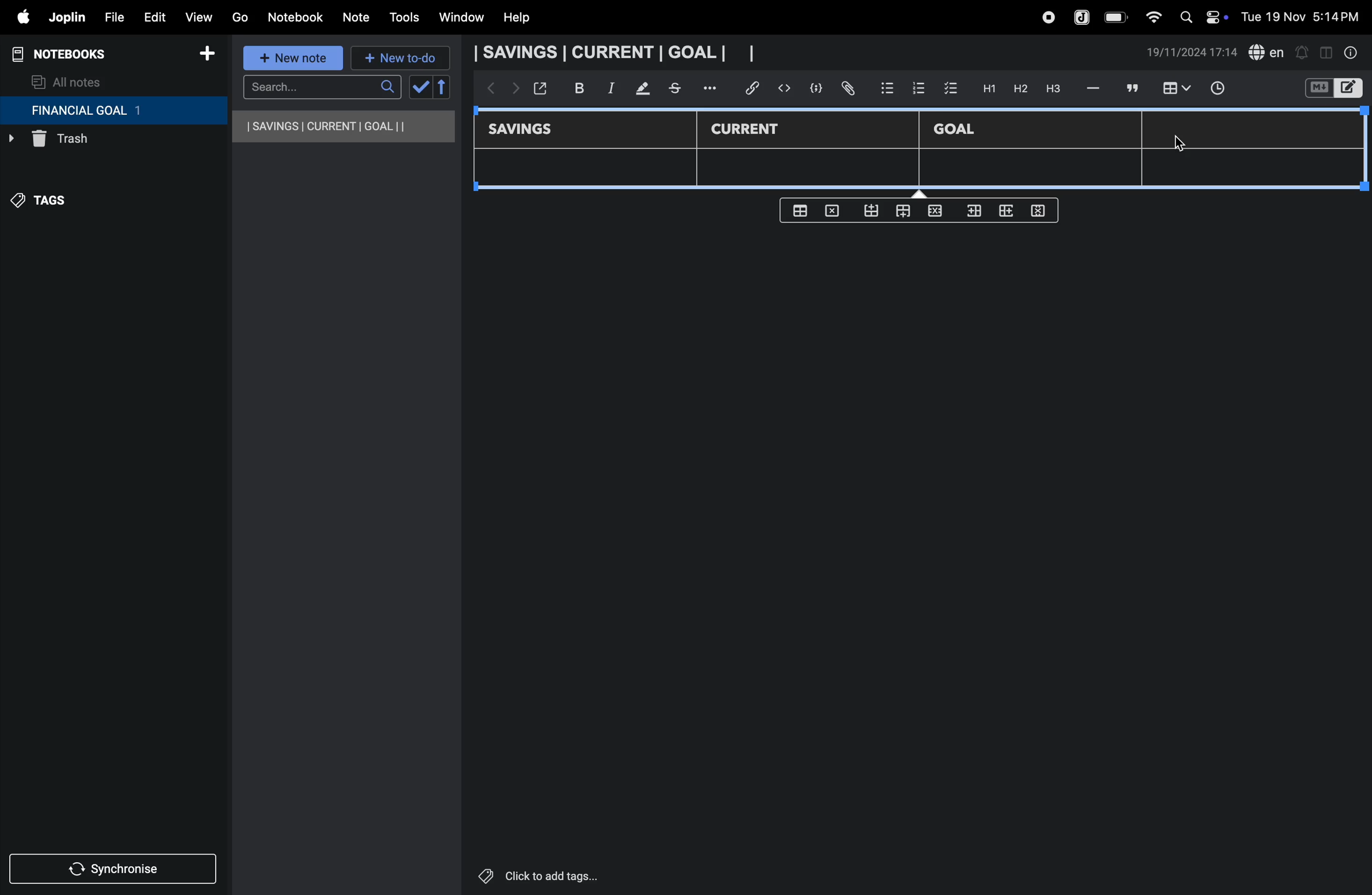 The image size is (1372, 895). I want to click on check box, so click(951, 89).